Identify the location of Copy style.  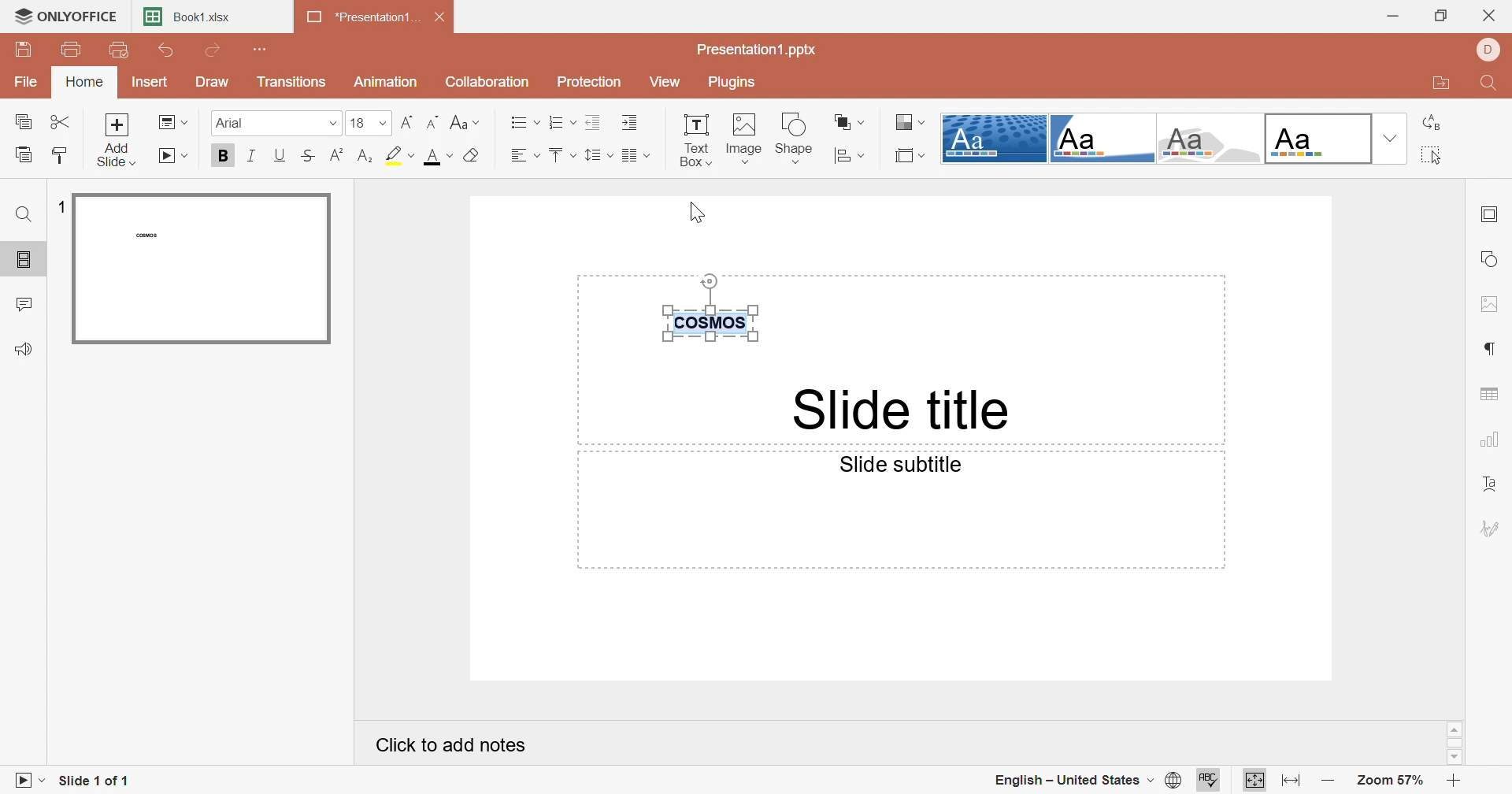
(55, 156).